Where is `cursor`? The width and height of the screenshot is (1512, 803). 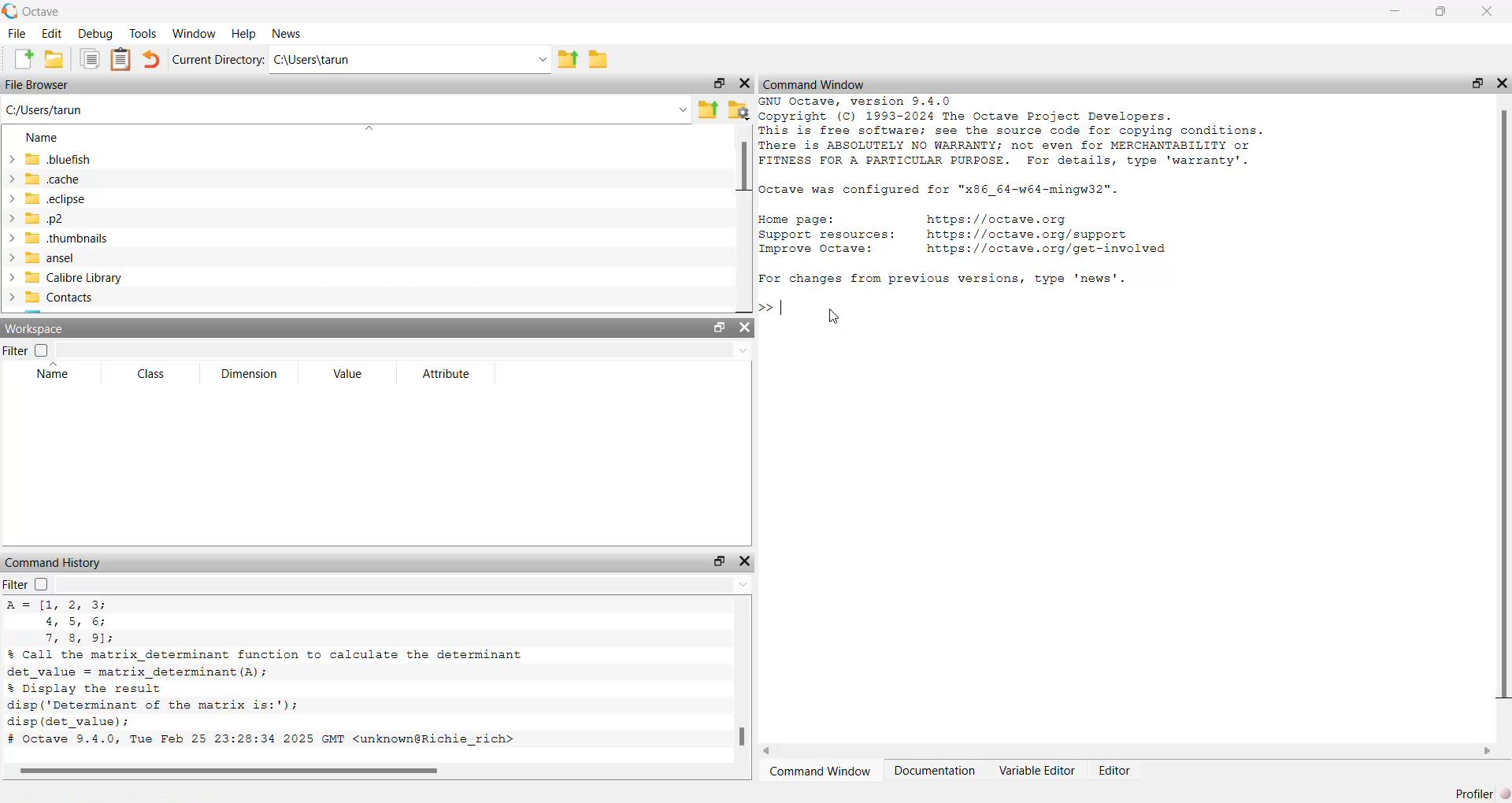
cursor is located at coordinates (832, 316).